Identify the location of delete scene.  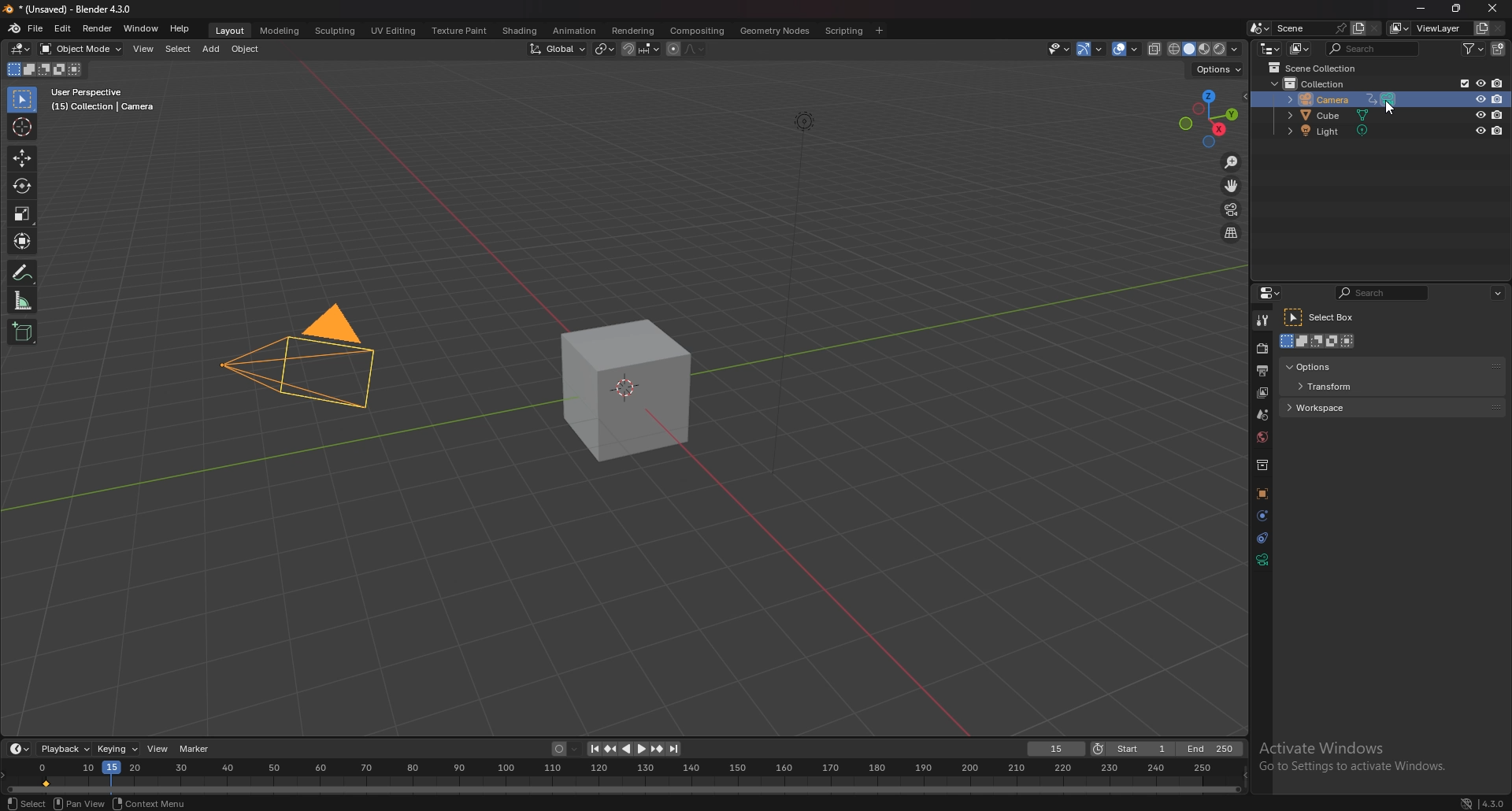
(1375, 28).